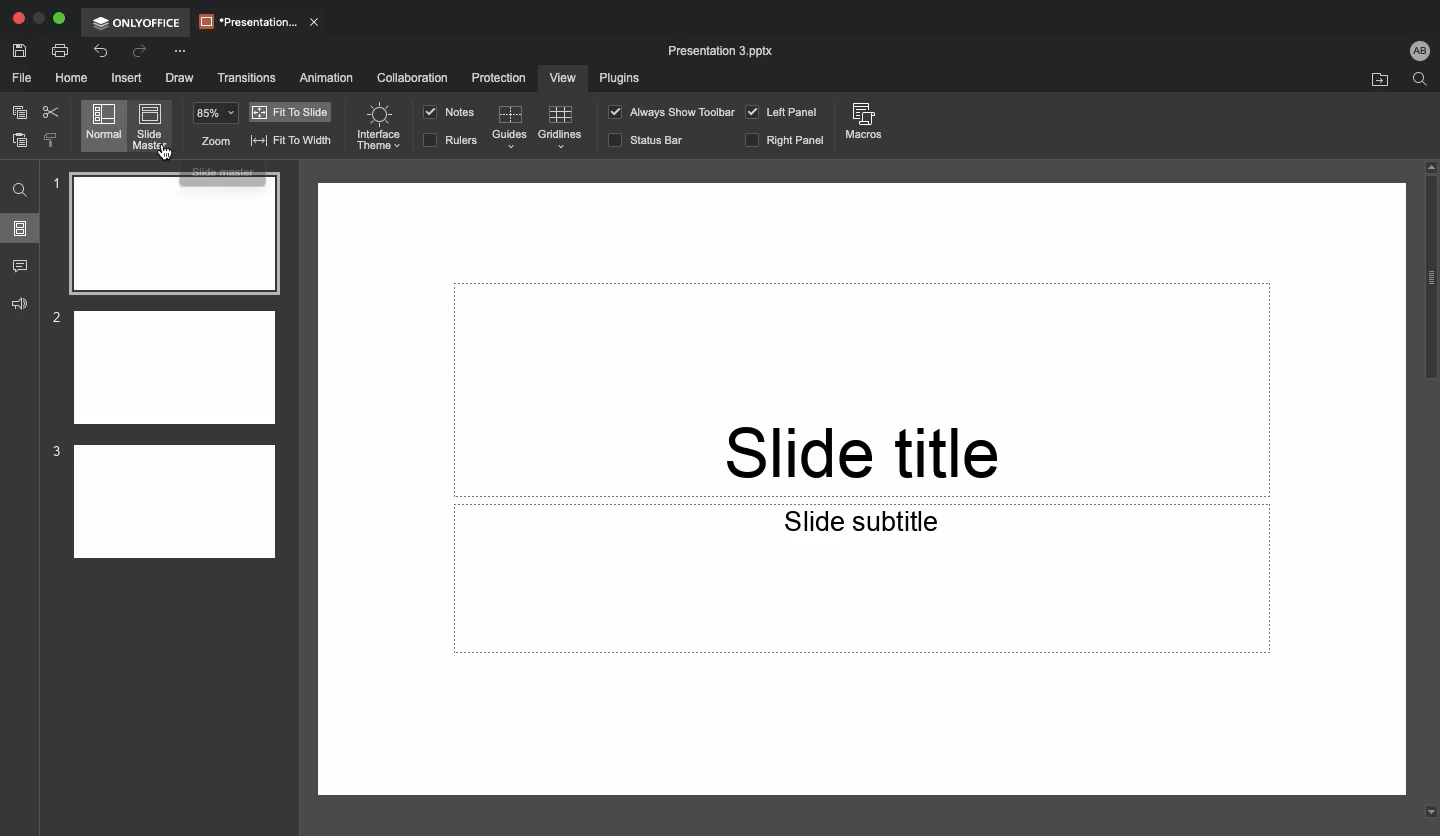 The height and width of the screenshot is (836, 1440). I want to click on Slide 2, so click(163, 364).